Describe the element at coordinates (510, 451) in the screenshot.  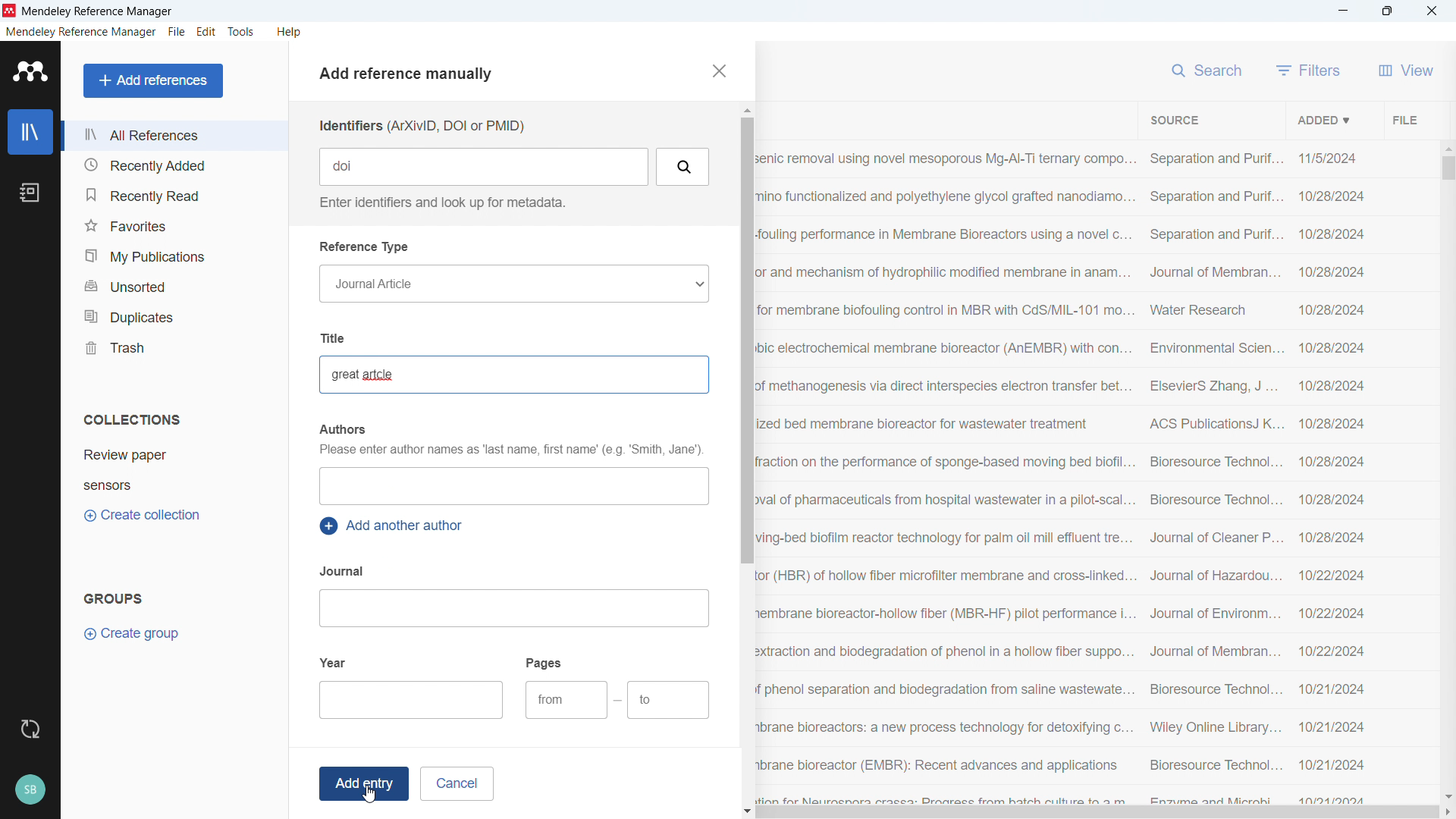
I see `Please enter author names as 'last name first name'` at that location.